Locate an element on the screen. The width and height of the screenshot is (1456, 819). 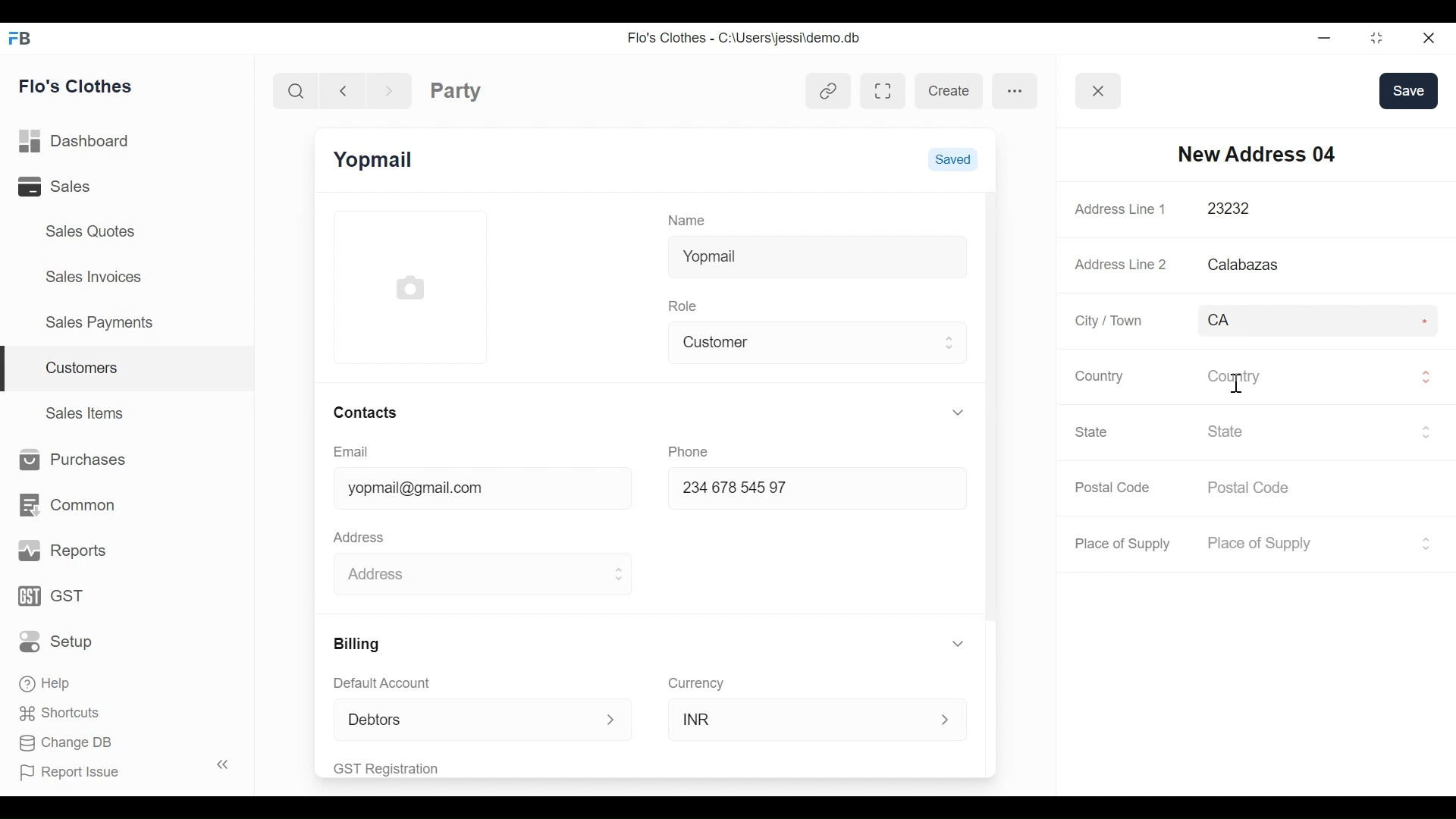
Yopmail is located at coordinates (375, 160).